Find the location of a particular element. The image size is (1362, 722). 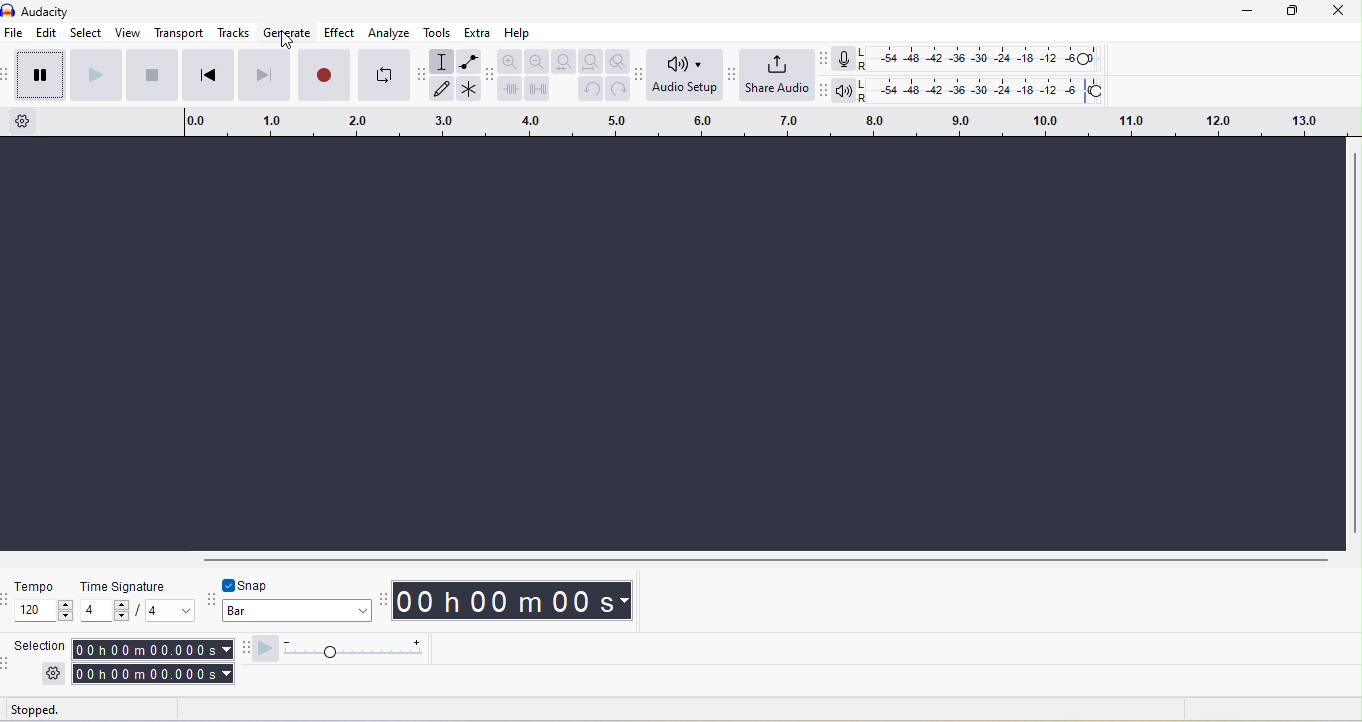

snap is located at coordinates (264, 584).